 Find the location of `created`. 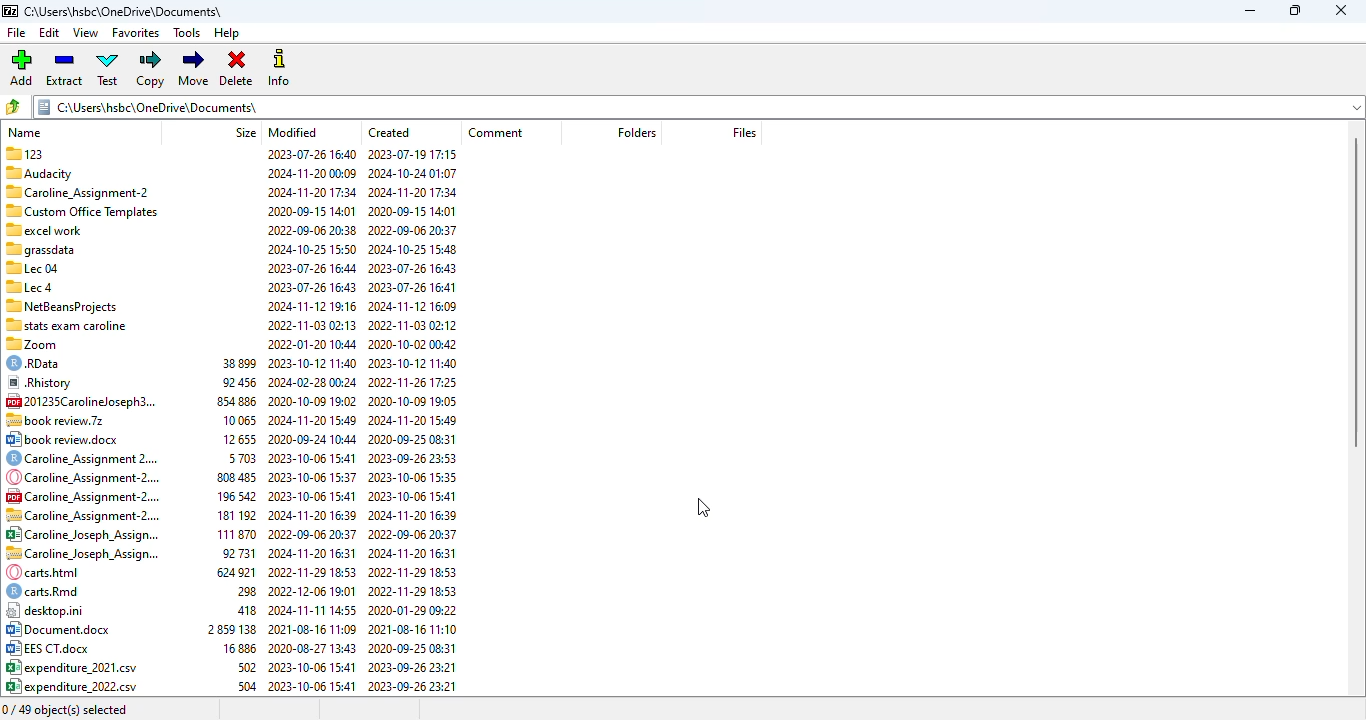

created is located at coordinates (390, 132).